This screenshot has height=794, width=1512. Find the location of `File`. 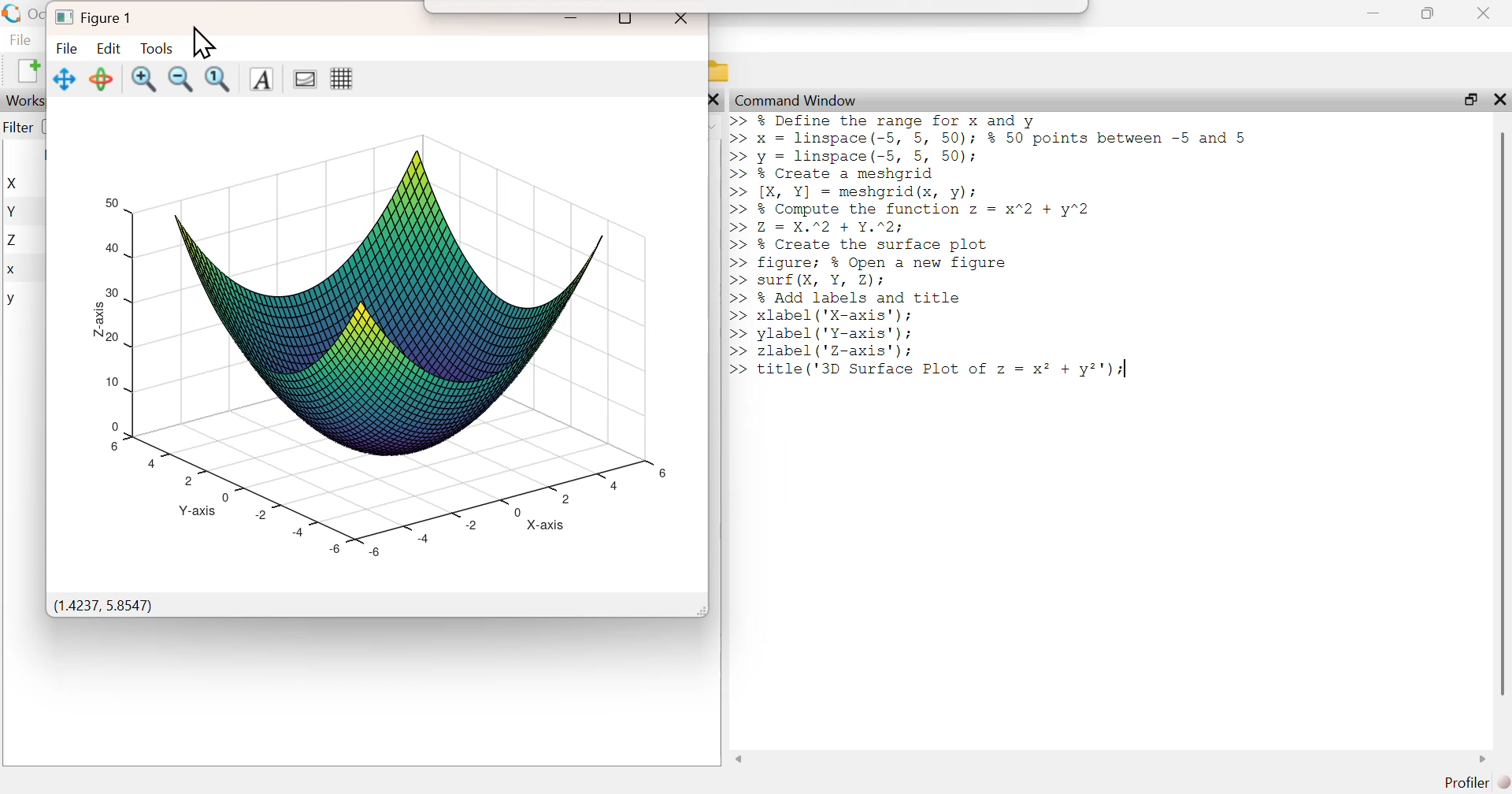

File is located at coordinates (20, 39).